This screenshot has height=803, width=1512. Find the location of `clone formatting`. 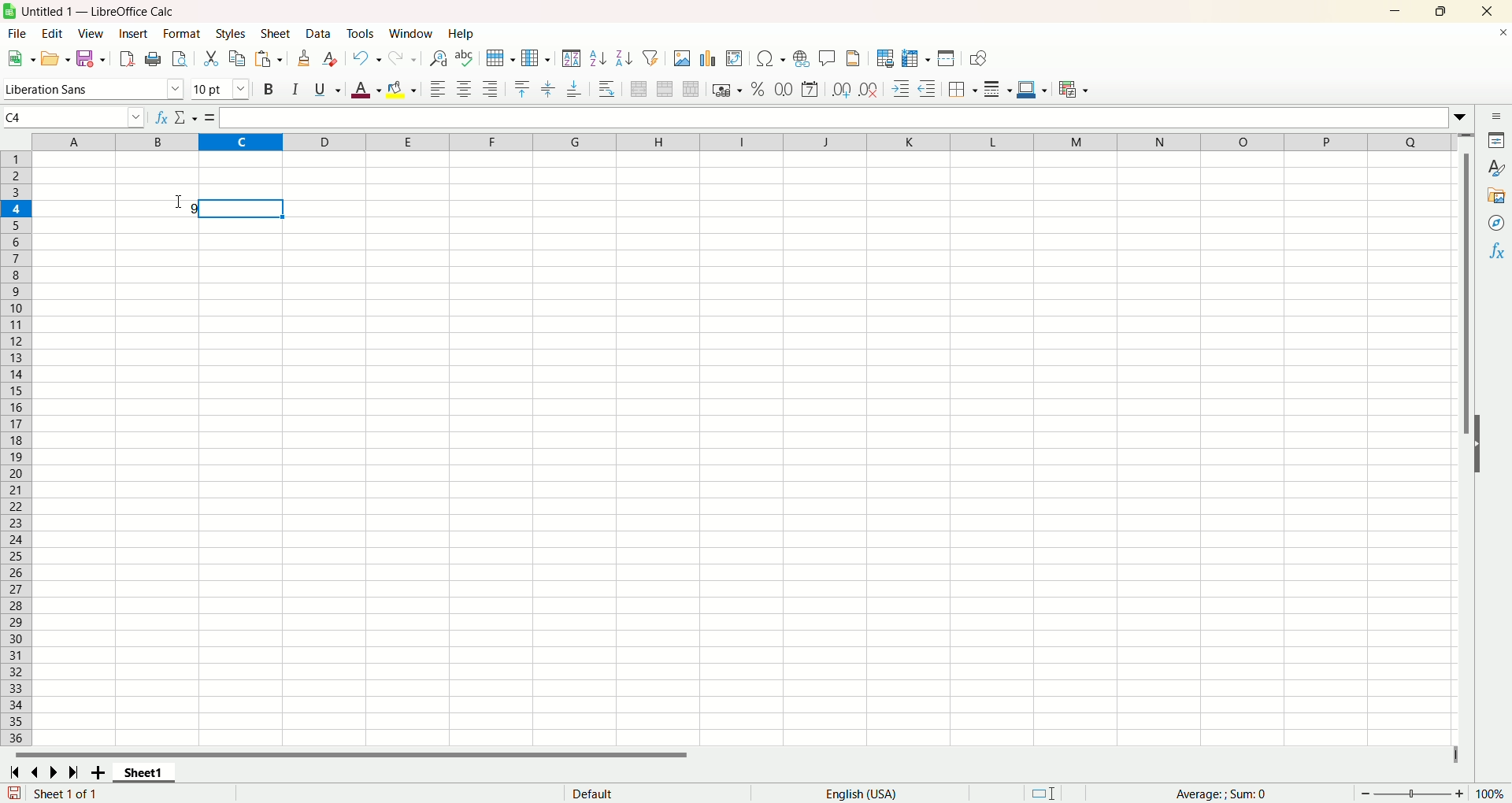

clone formatting is located at coordinates (306, 58).